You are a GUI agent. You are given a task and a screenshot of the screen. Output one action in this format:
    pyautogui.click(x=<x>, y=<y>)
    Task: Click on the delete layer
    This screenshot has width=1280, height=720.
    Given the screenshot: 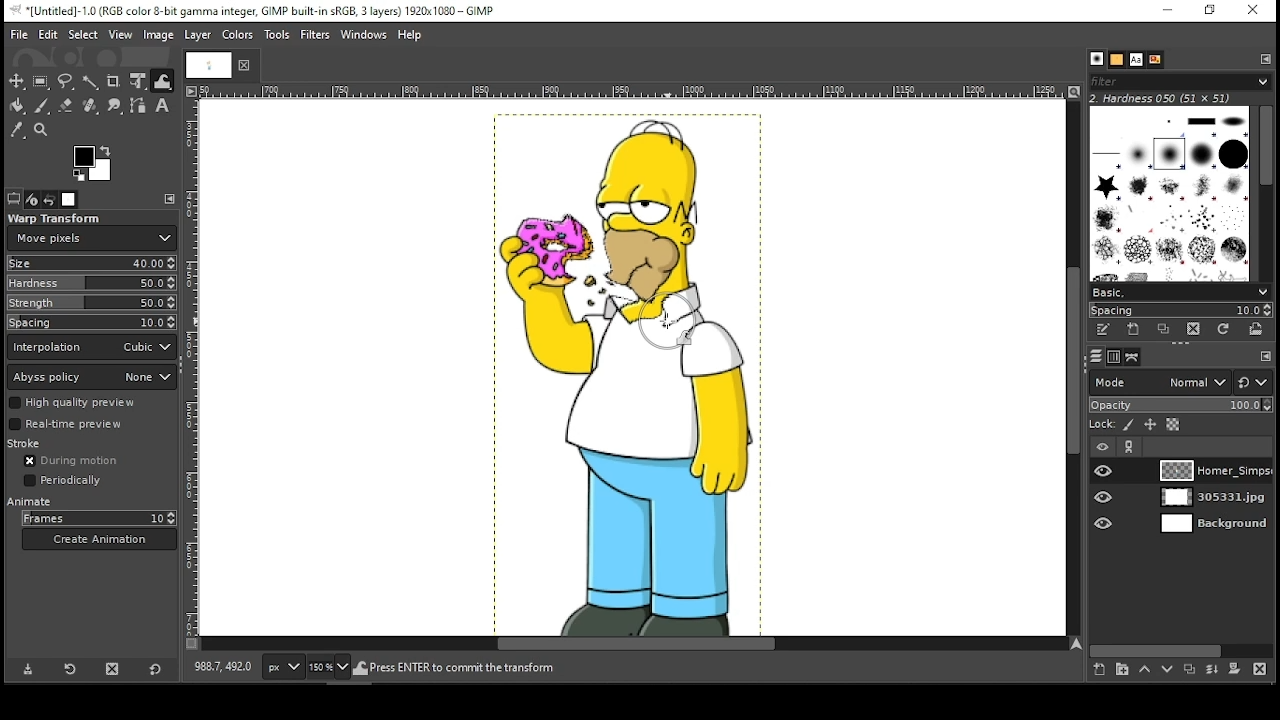 What is the action you would take?
    pyautogui.click(x=1261, y=671)
    